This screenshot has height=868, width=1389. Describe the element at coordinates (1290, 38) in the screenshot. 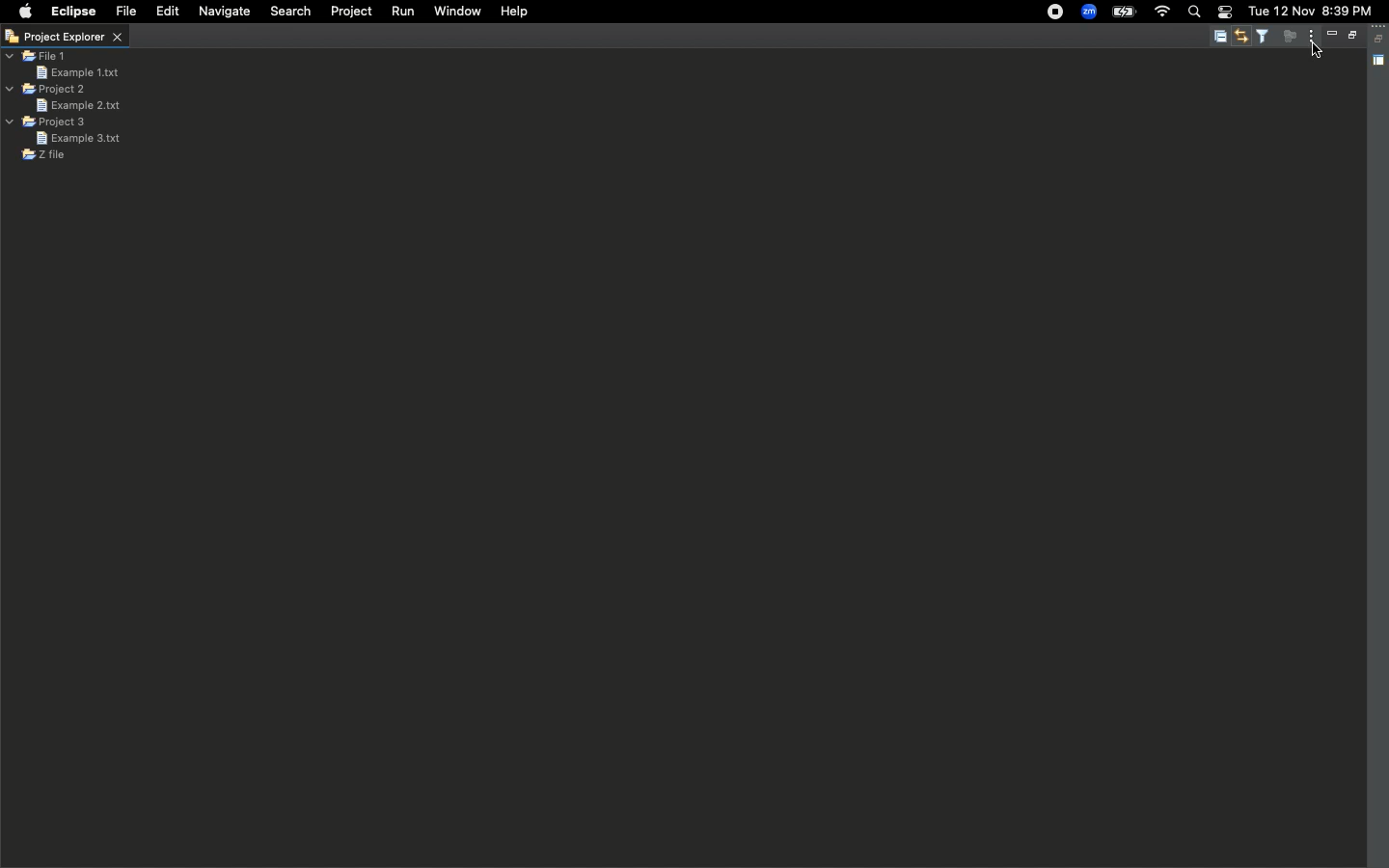

I see `Focus on active task` at that location.